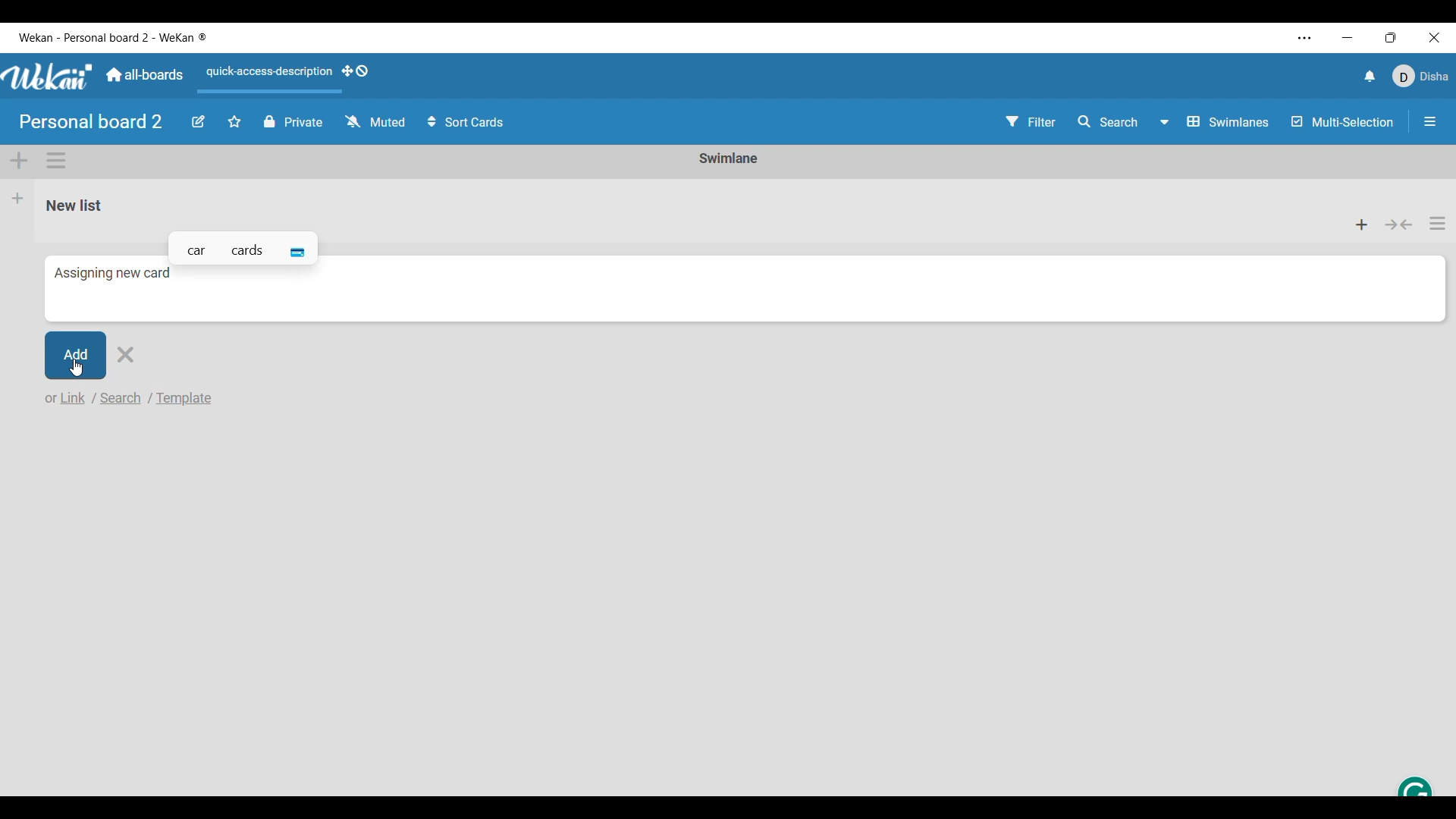 The image size is (1456, 819). Describe the element at coordinates (466, 121) in the screenshot. I see `Sort card options` at that location.